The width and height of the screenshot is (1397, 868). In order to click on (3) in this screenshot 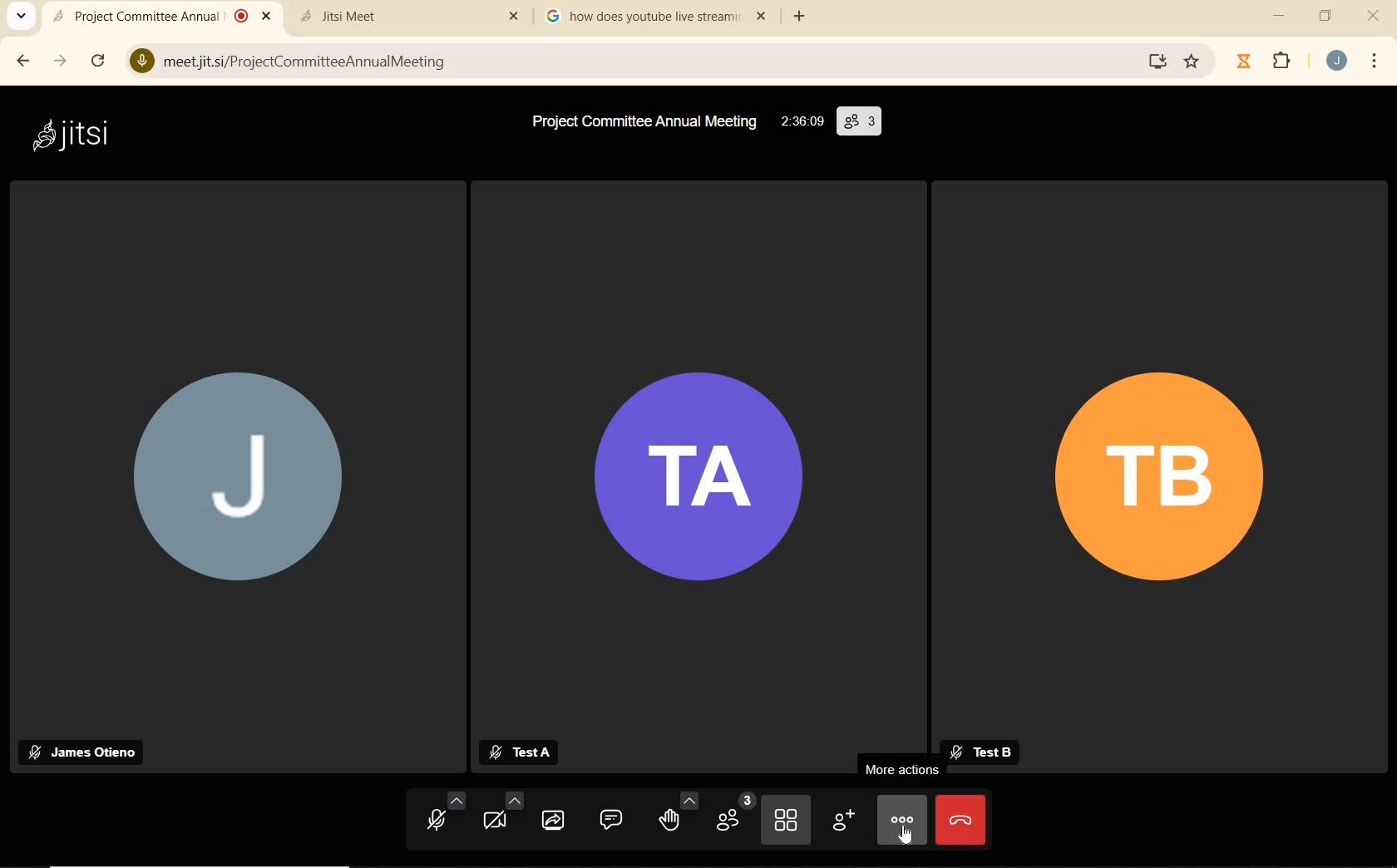, I will do `click(863, 121)`.